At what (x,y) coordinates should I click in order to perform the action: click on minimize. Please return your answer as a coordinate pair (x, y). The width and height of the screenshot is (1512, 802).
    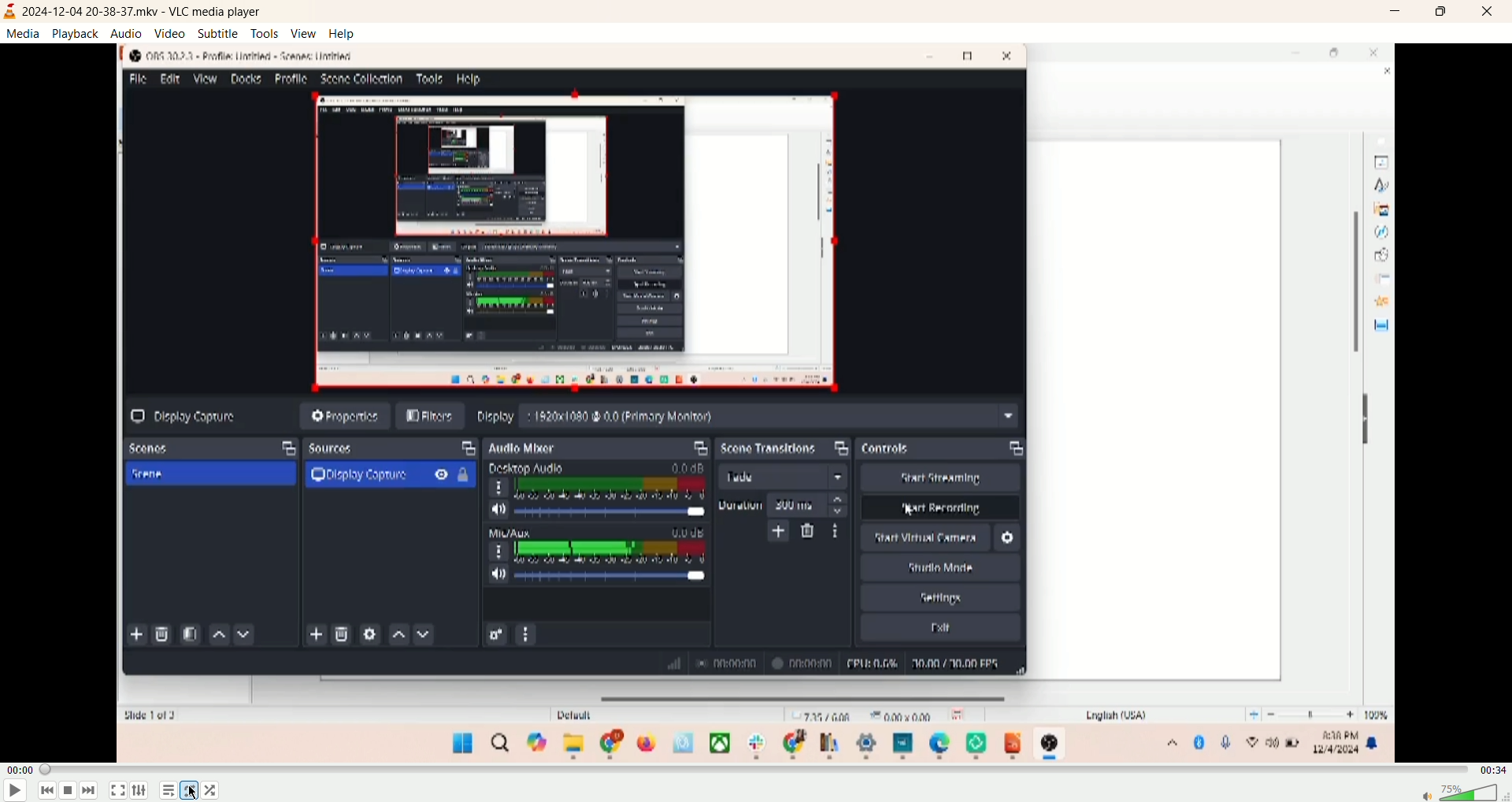
    Looking at the image, I should click on (1399, 12).